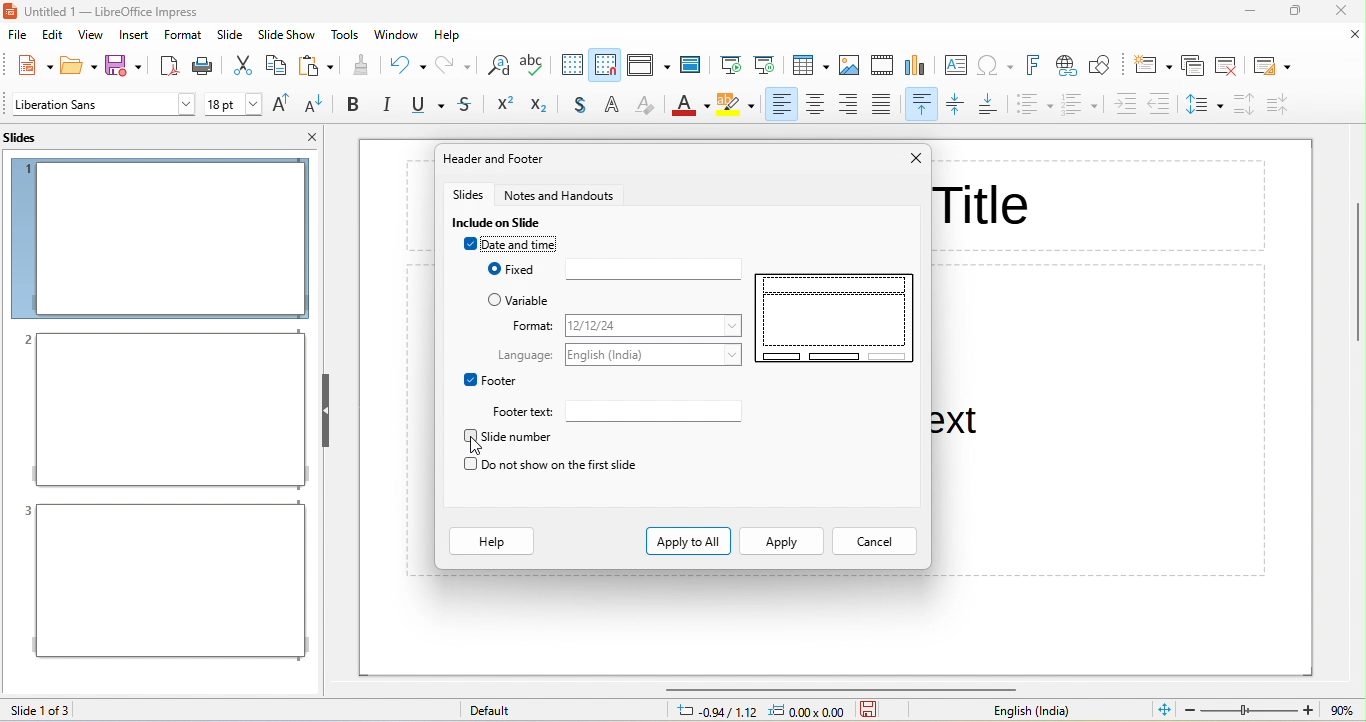  I want to click on notes and handouts, so click(561, 194).